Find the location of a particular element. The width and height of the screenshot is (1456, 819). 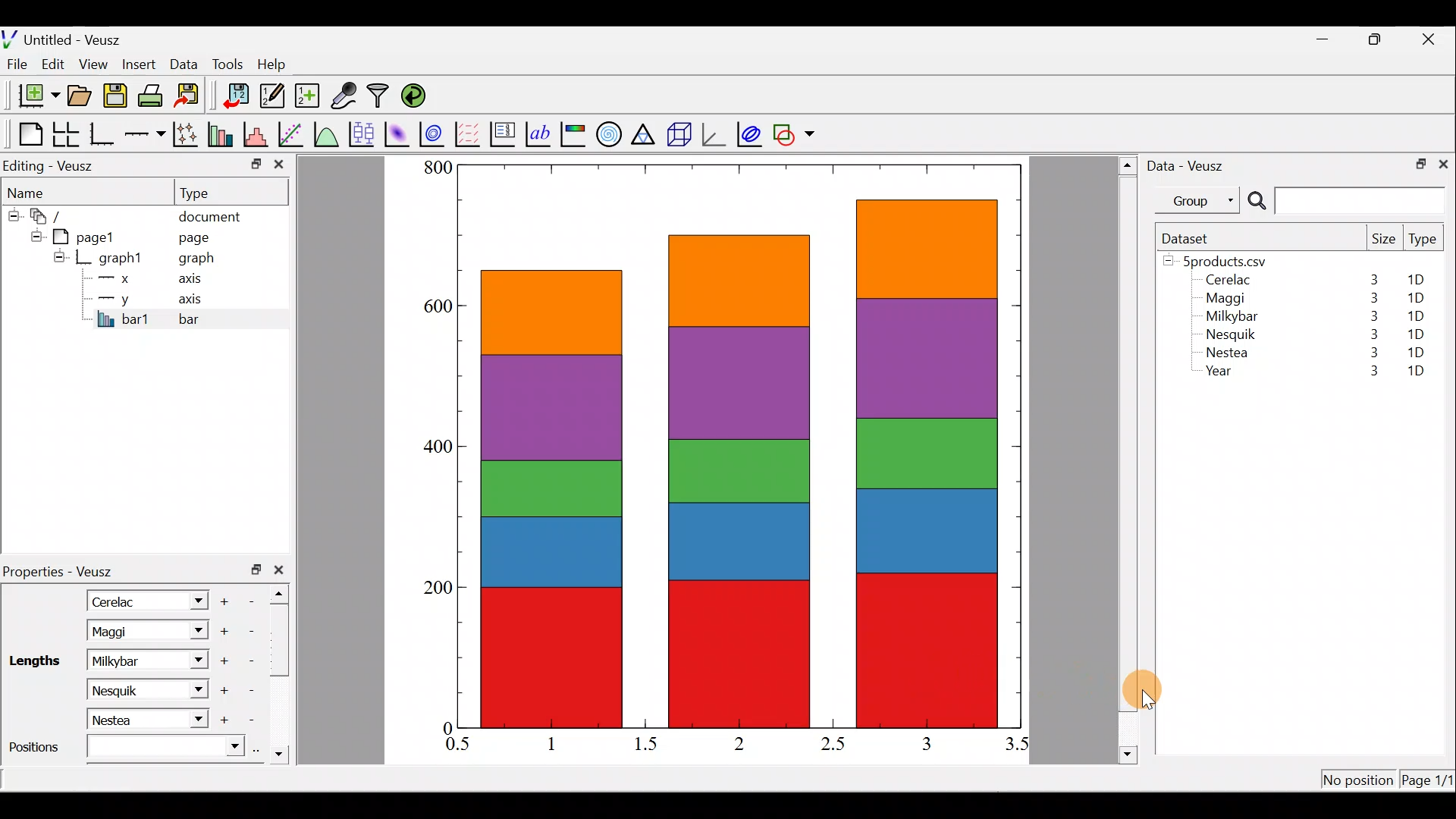

View is located at coordinates (96, 61).